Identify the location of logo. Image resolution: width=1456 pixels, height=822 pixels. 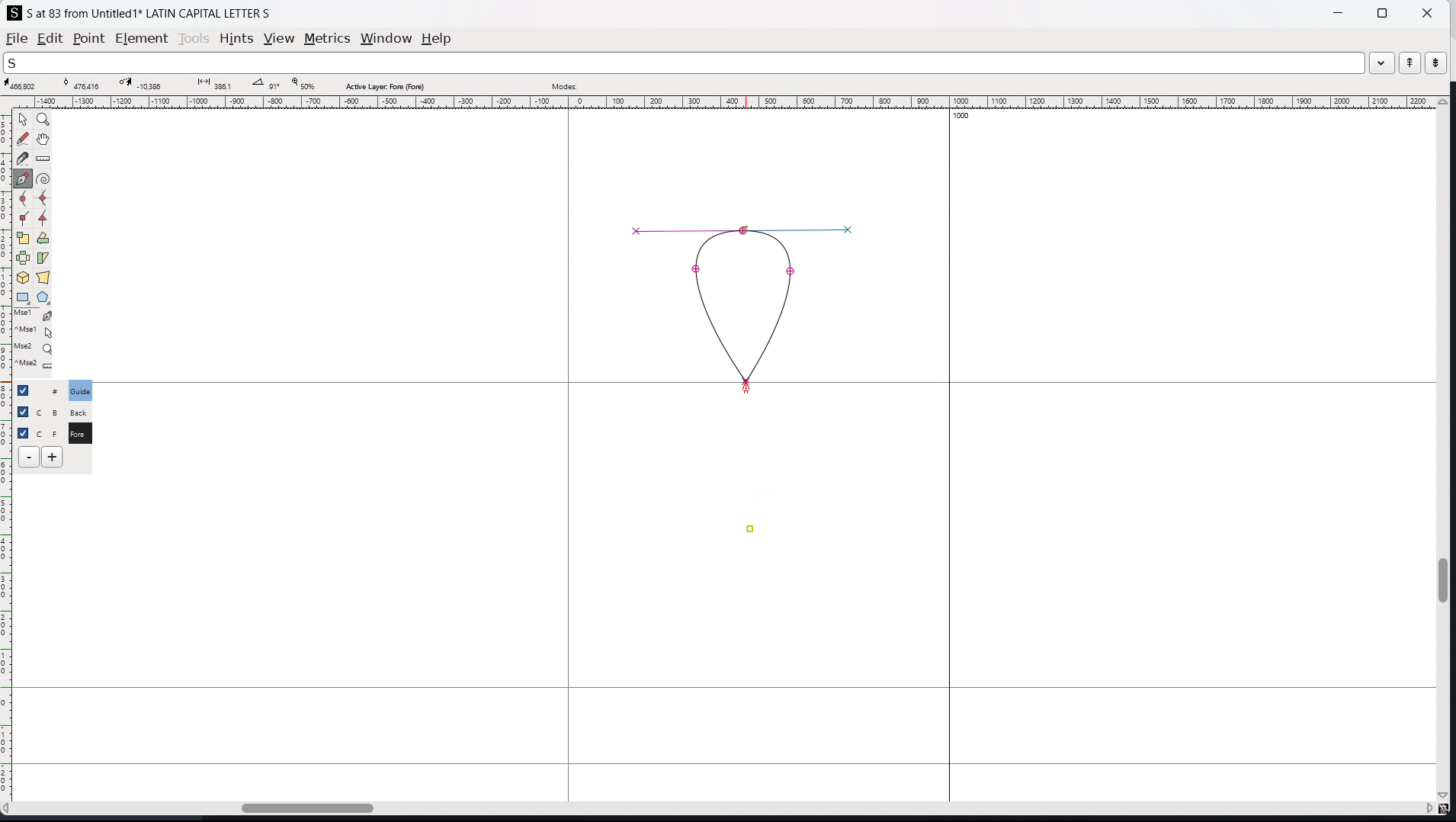
(14, 13).